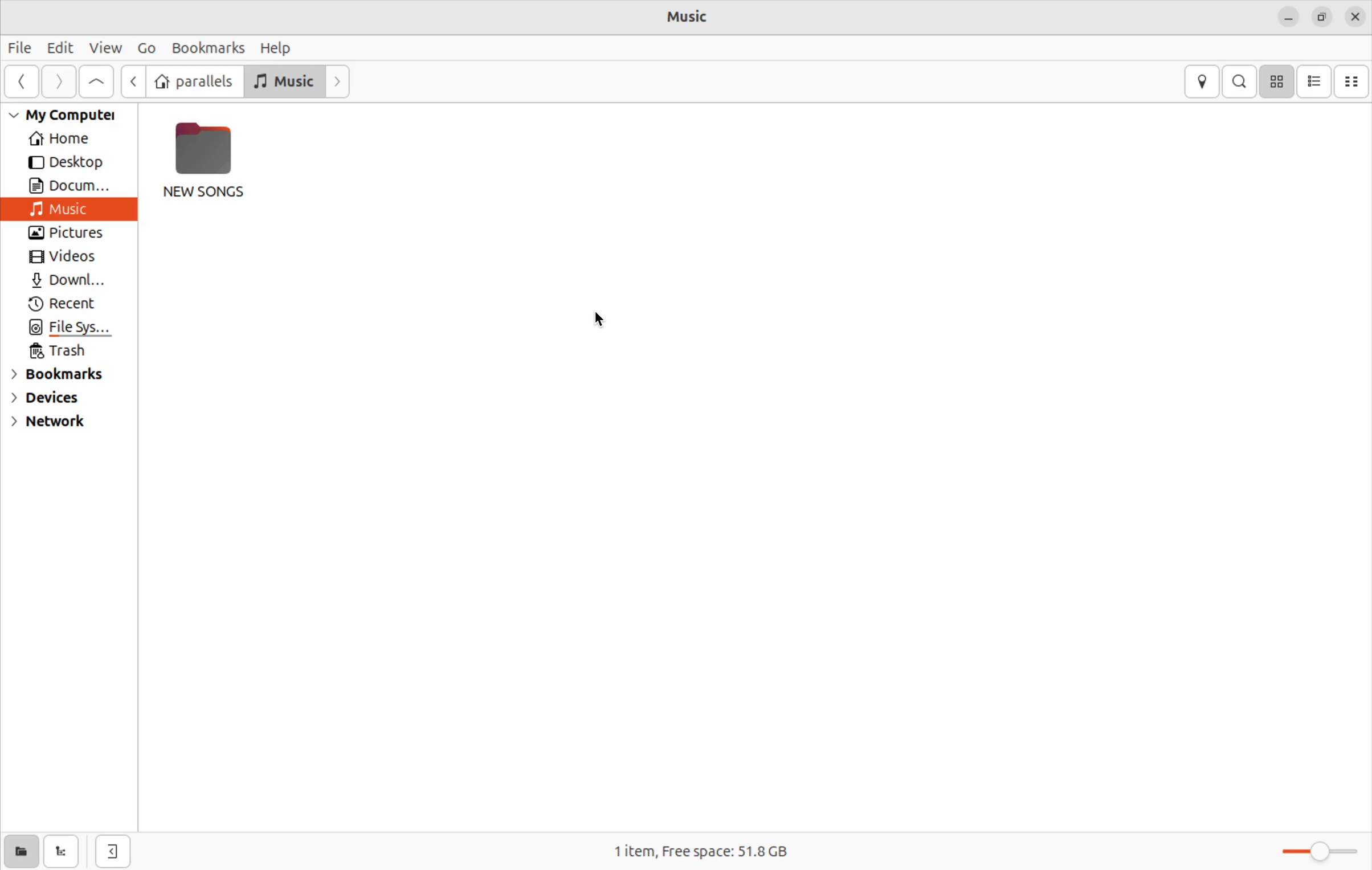 Image resolution: width=1372 pixels, height=870 pixels. What do you see at coordinates (133, 80) in the screenshot?
I see `back` at bounding box center [133, 80].